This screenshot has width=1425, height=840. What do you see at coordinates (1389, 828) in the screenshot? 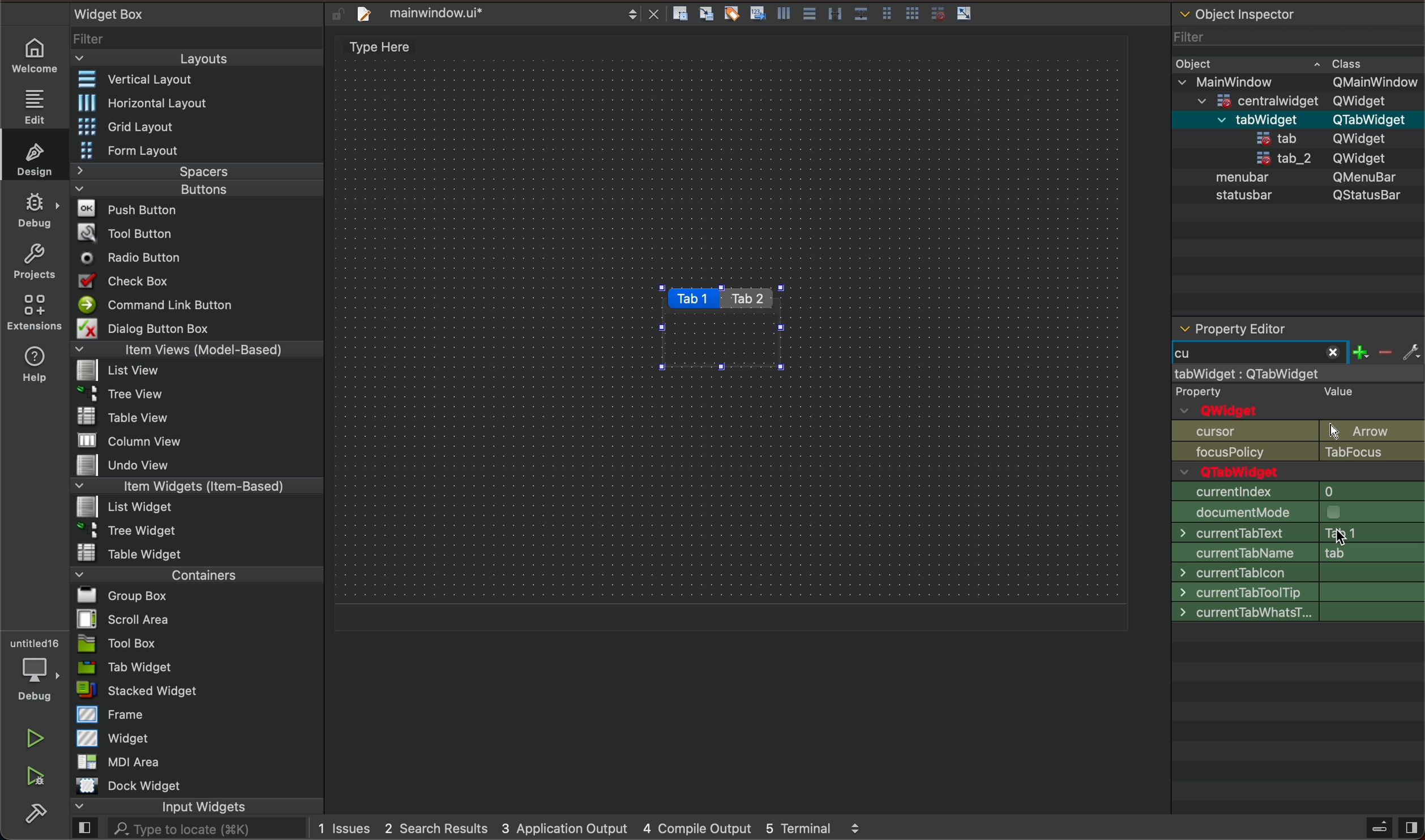
I see `close sidebar` at bounding box center [1389, 828].